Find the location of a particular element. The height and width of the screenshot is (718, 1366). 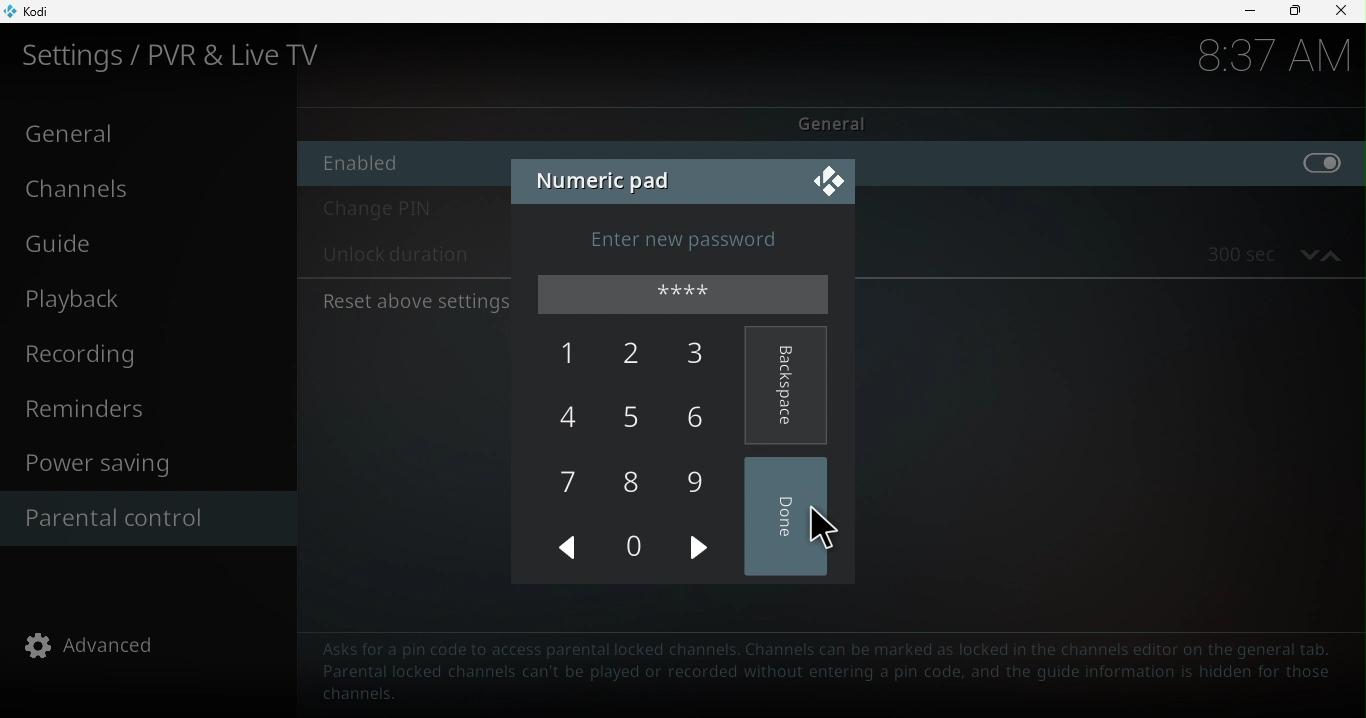

Text to guide to help parental control configuration is located at coordinates (828, 672).